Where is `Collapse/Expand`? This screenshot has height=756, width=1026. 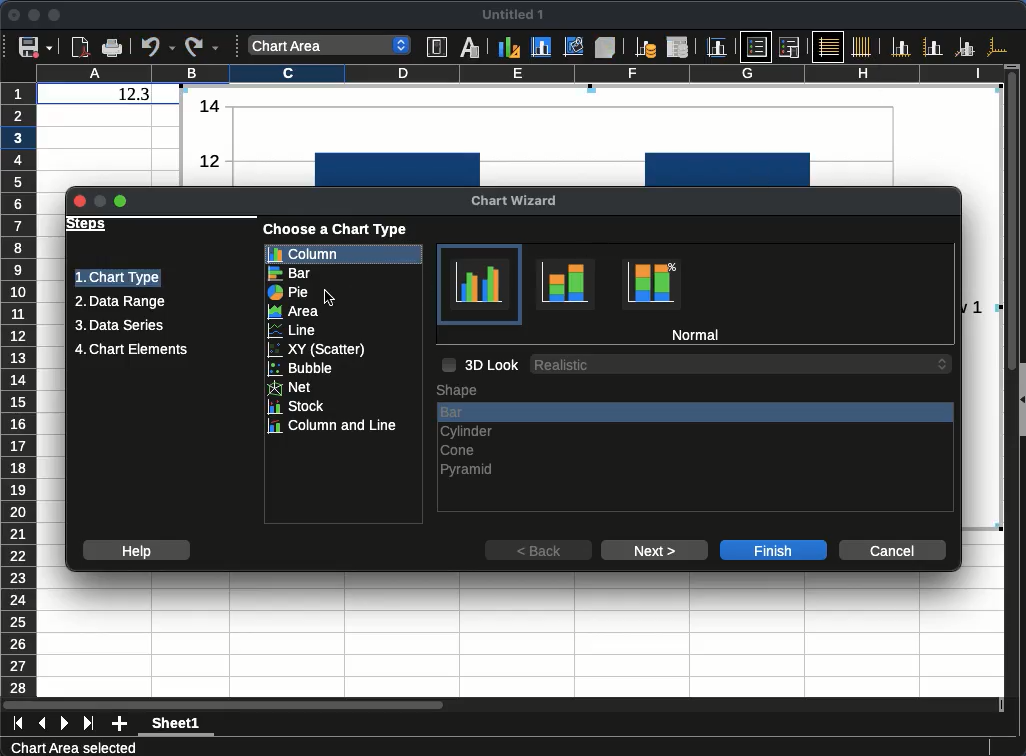 Collapse/Expand is located at coordinates (1023, 400).